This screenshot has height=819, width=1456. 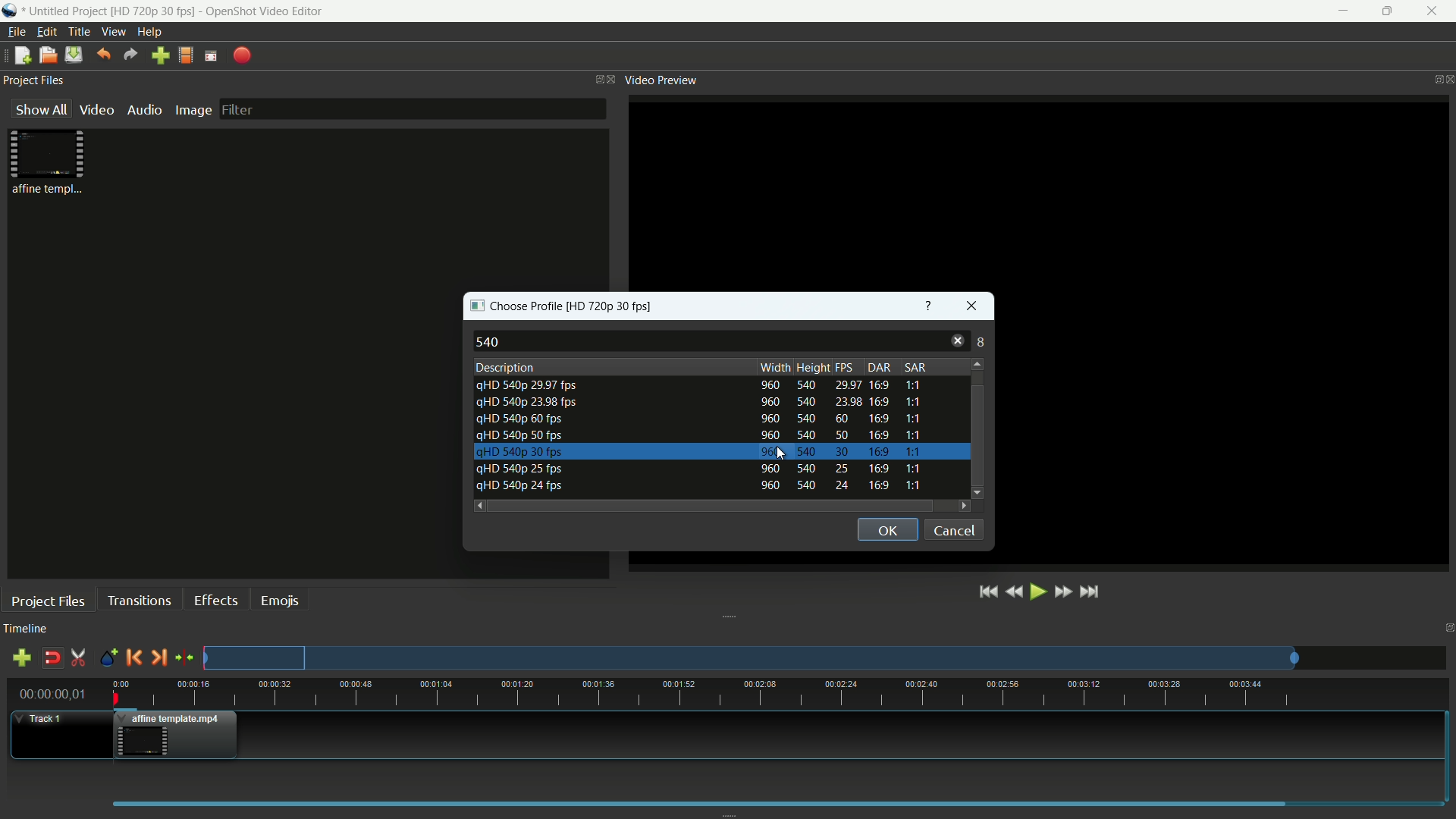 I want to click on video preview, so click(x=661, y=80).